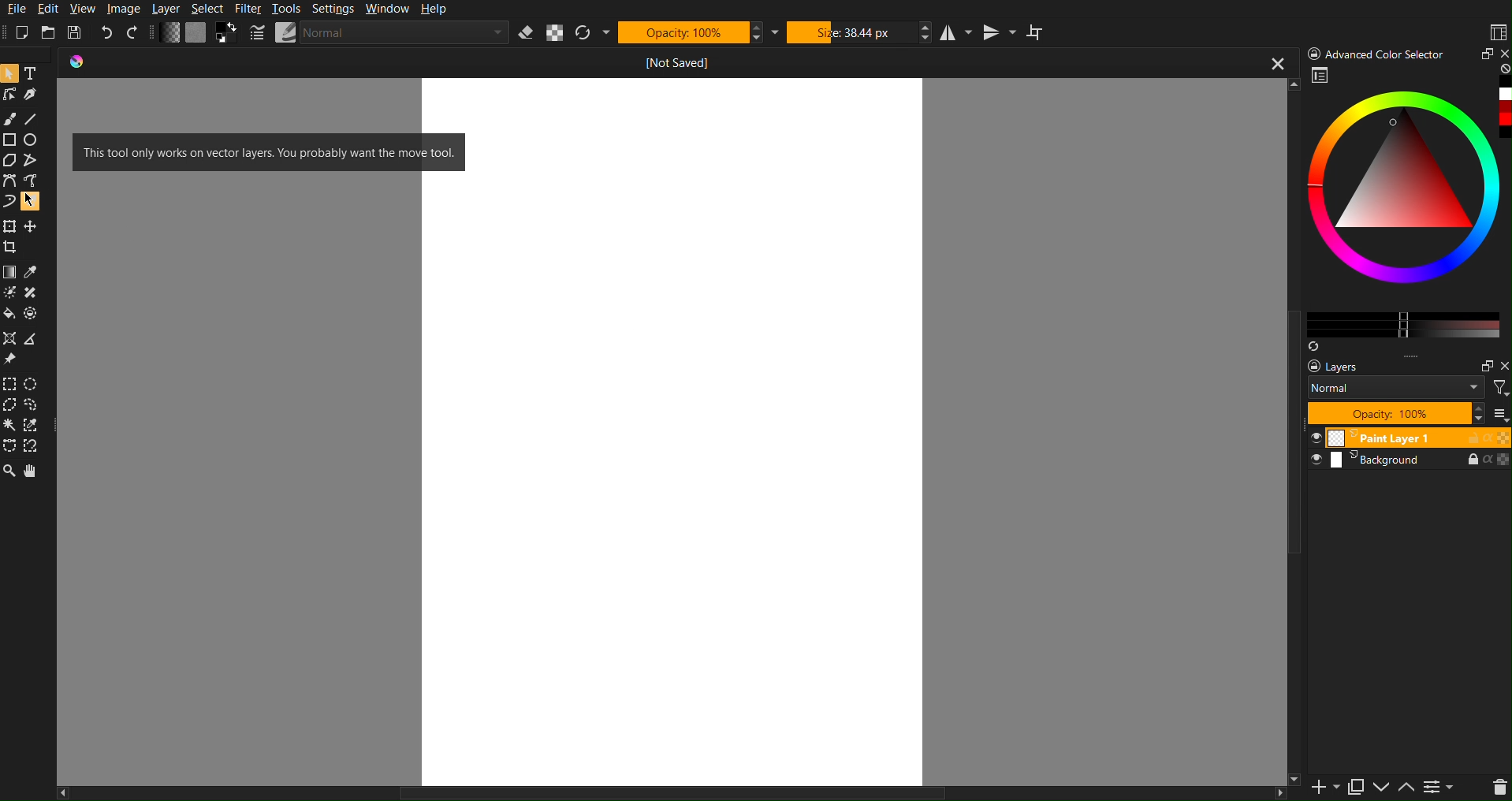 This screenshot has height=801, width=1512. Describe the element at coordinates (1321, 77) in the screenshot. I see `workspace` at that location.